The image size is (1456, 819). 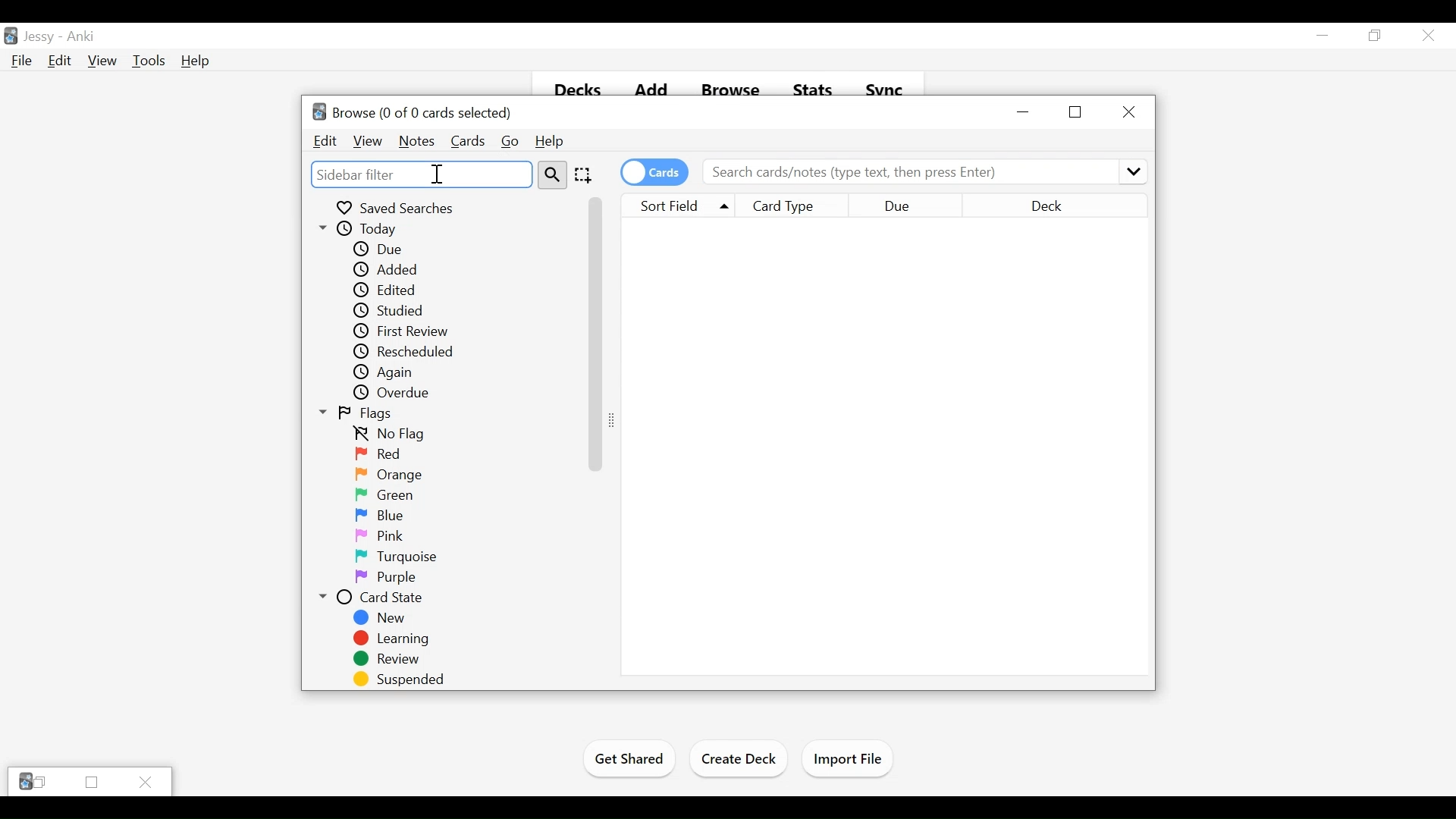 What do you see at coordinates (386, 659) in the screenshot?
I see `Review` at bounding box center [386, 659].